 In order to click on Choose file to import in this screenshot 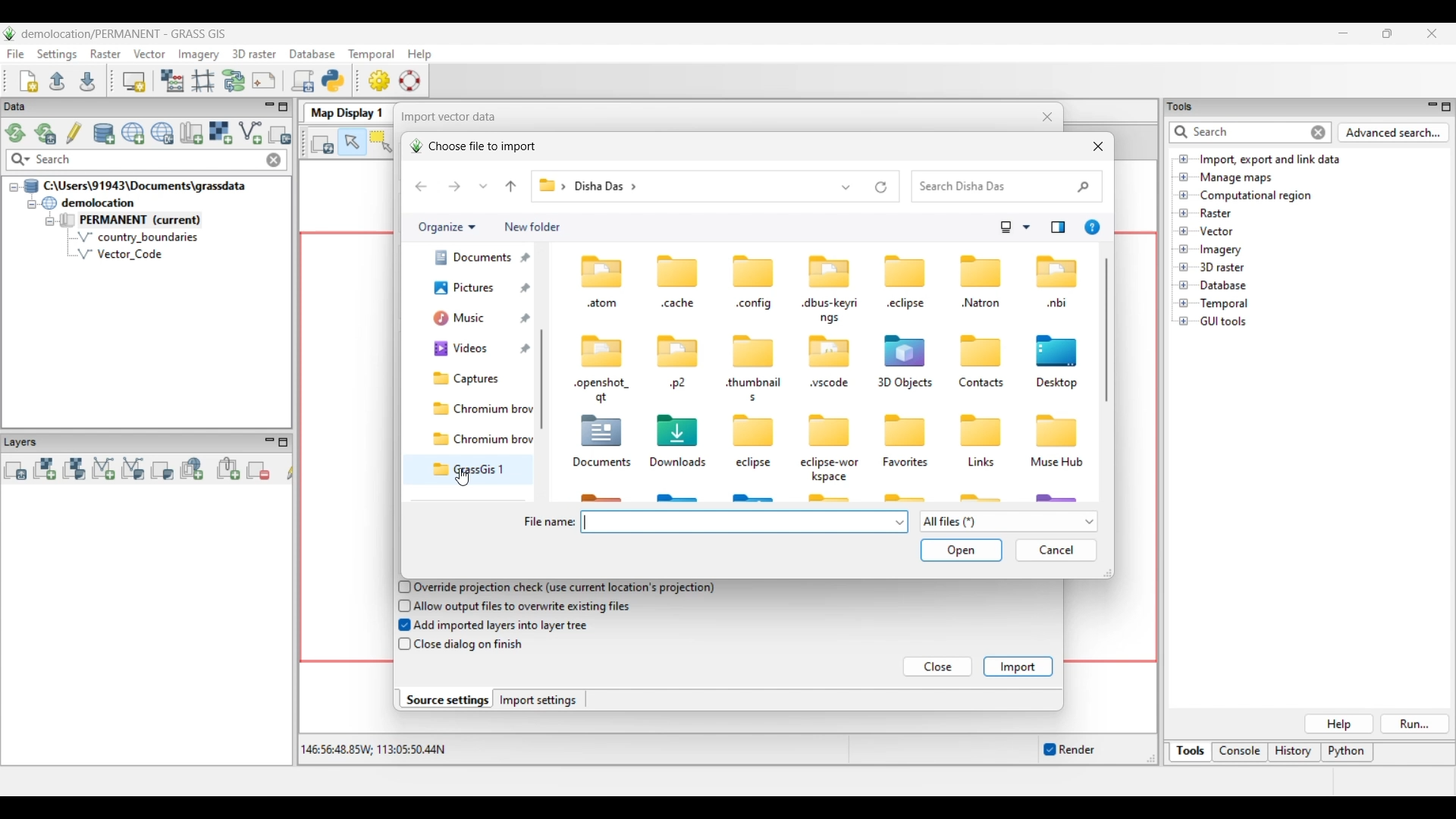, I will do `click(472, 146)`.